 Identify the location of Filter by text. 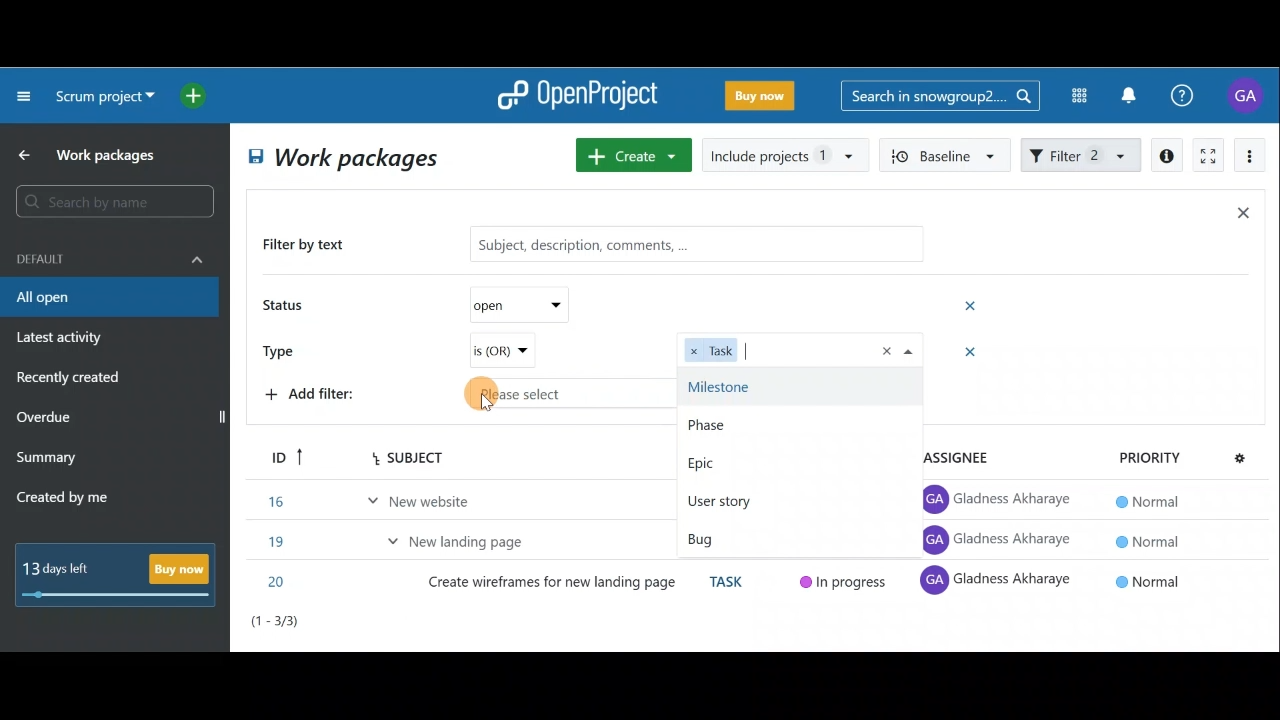
(312, 246).